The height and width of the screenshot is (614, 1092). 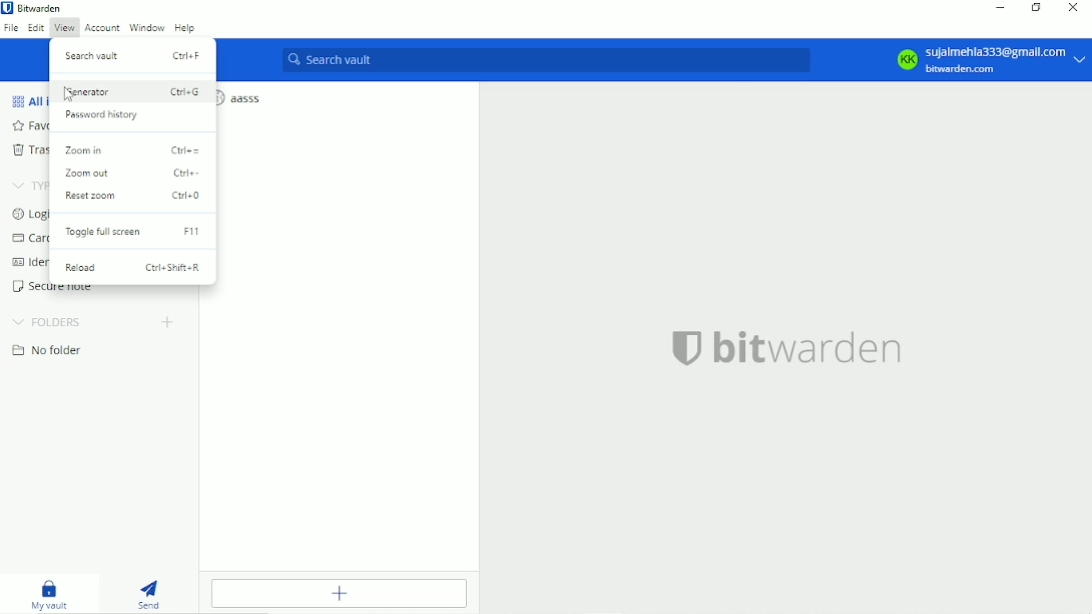 I want to click on Generator, so click(x=133, y=91).